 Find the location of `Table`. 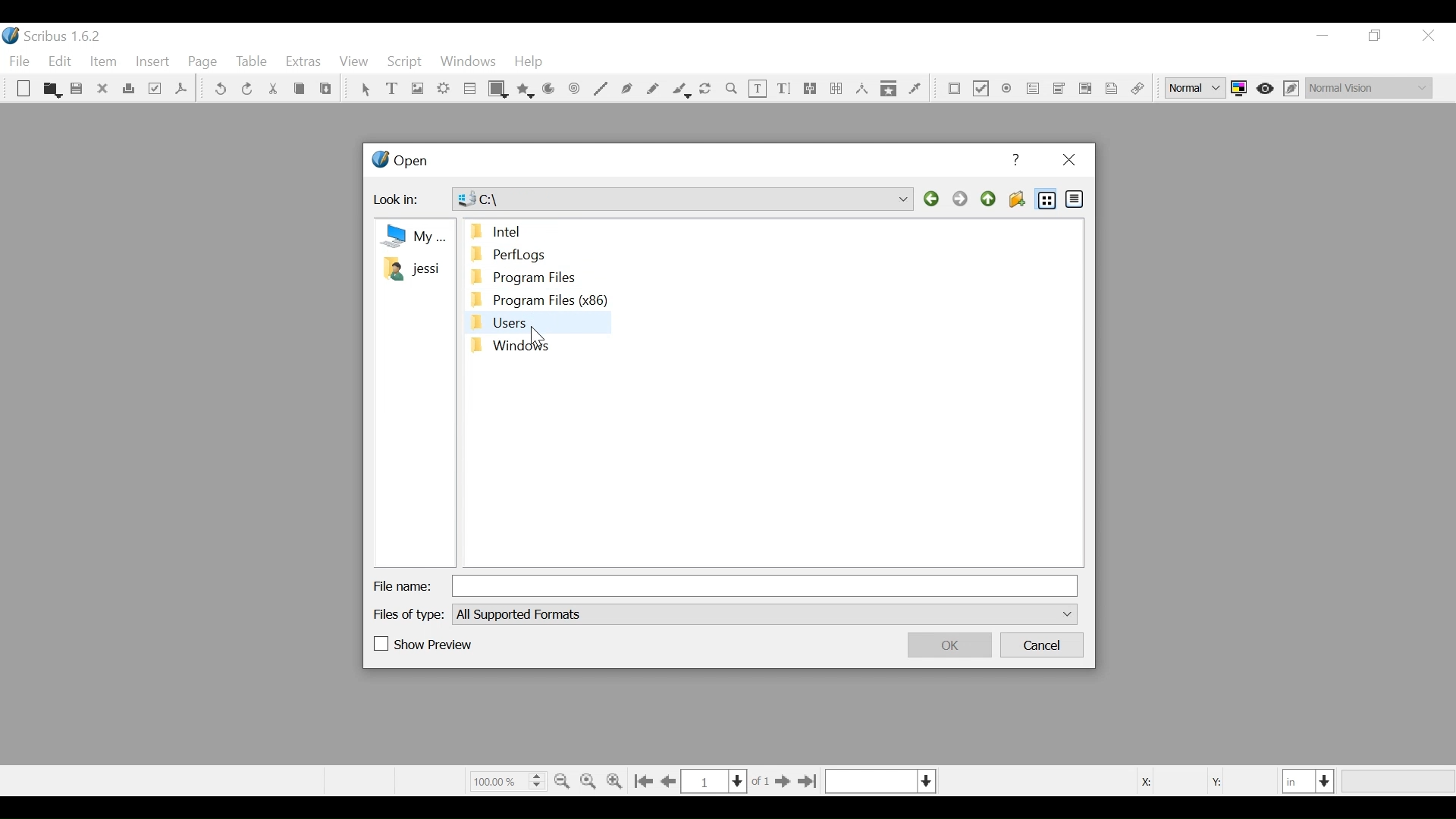

Table is located at coordinates (470, 90).